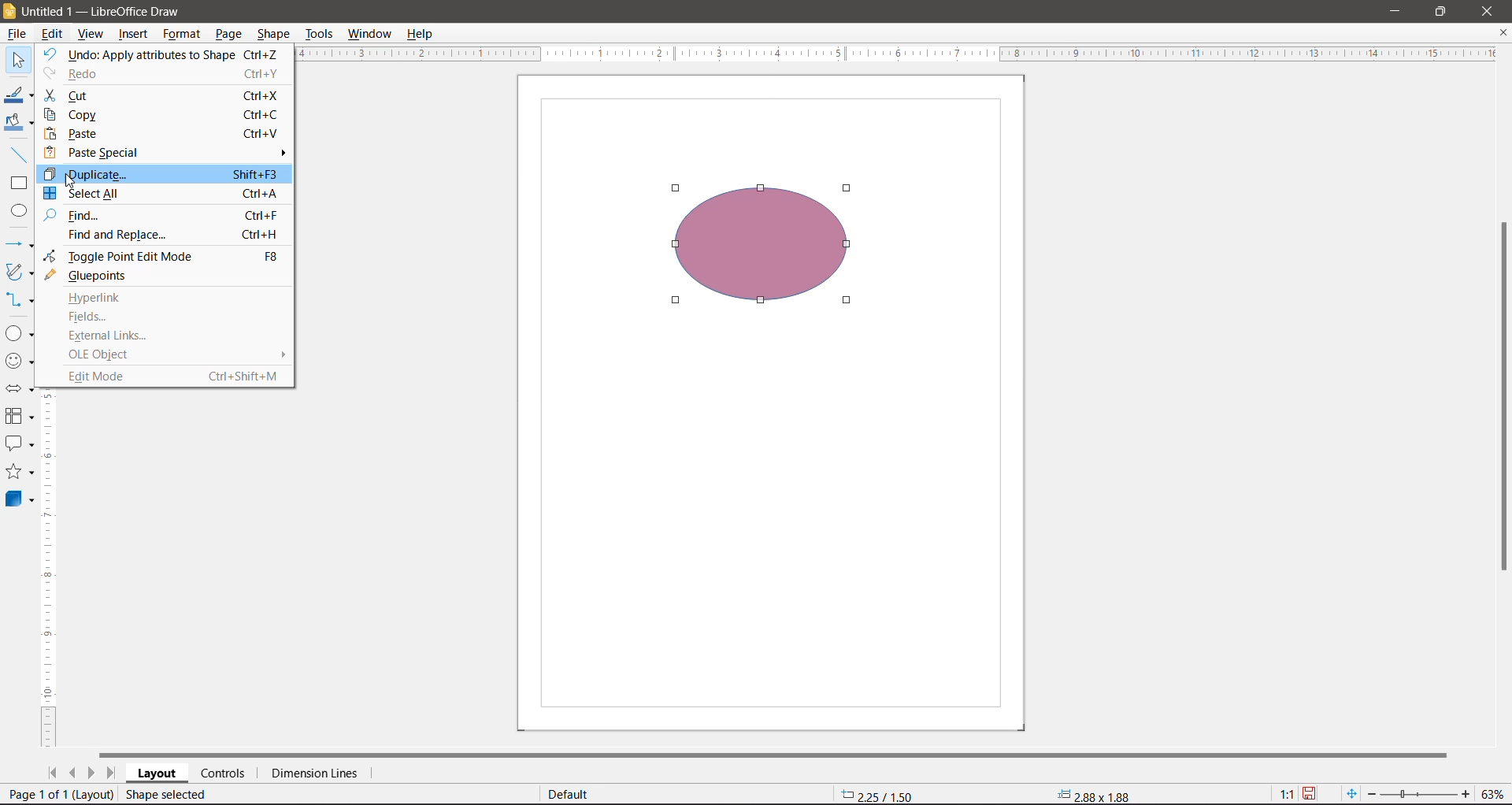 The image size is (1512, 805). Describe the element at coordinates (20, 471) in the screenshot. I see `Stars and Banners` at that location.